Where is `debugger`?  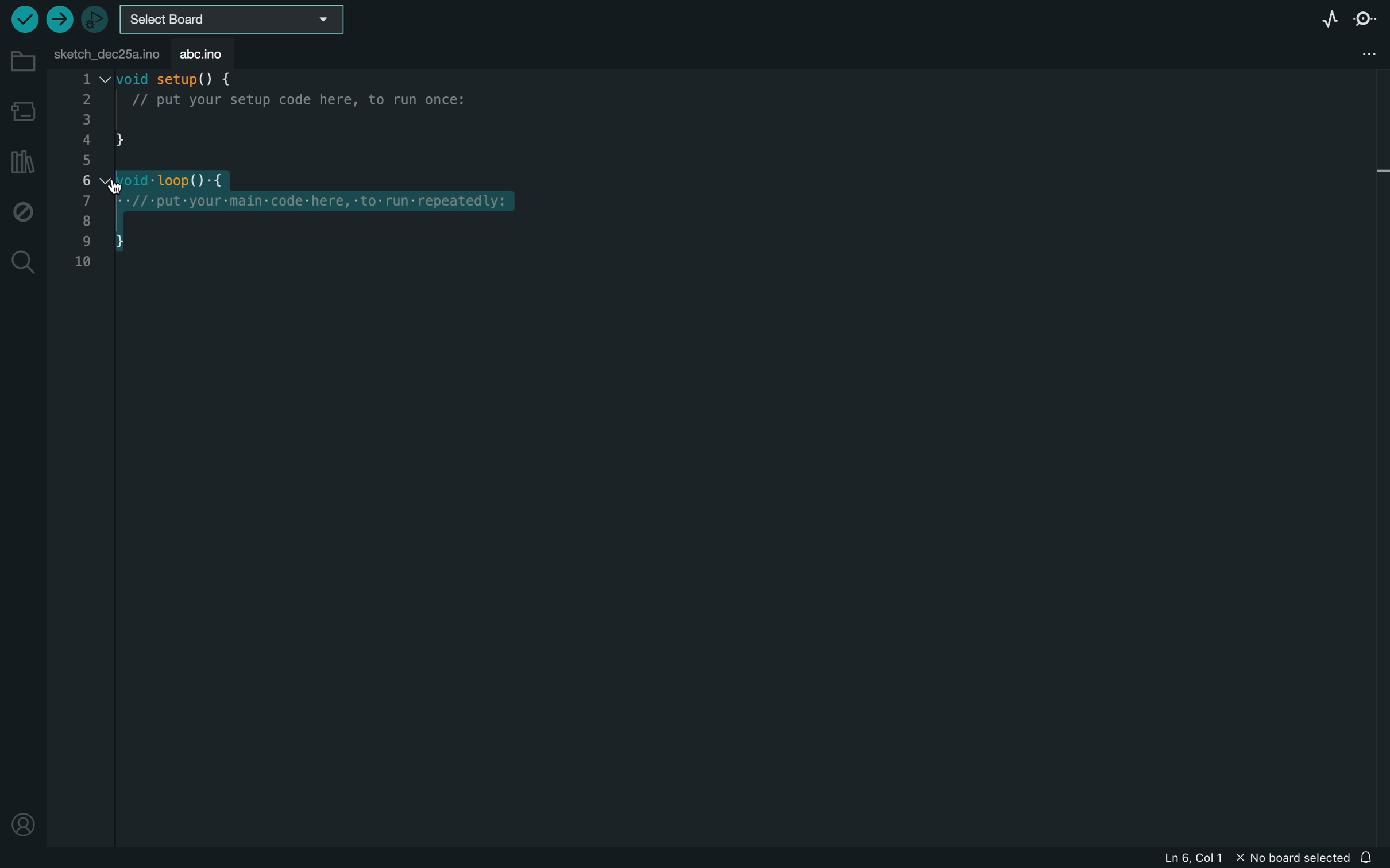 debugger is located at coordinates (96, 17).